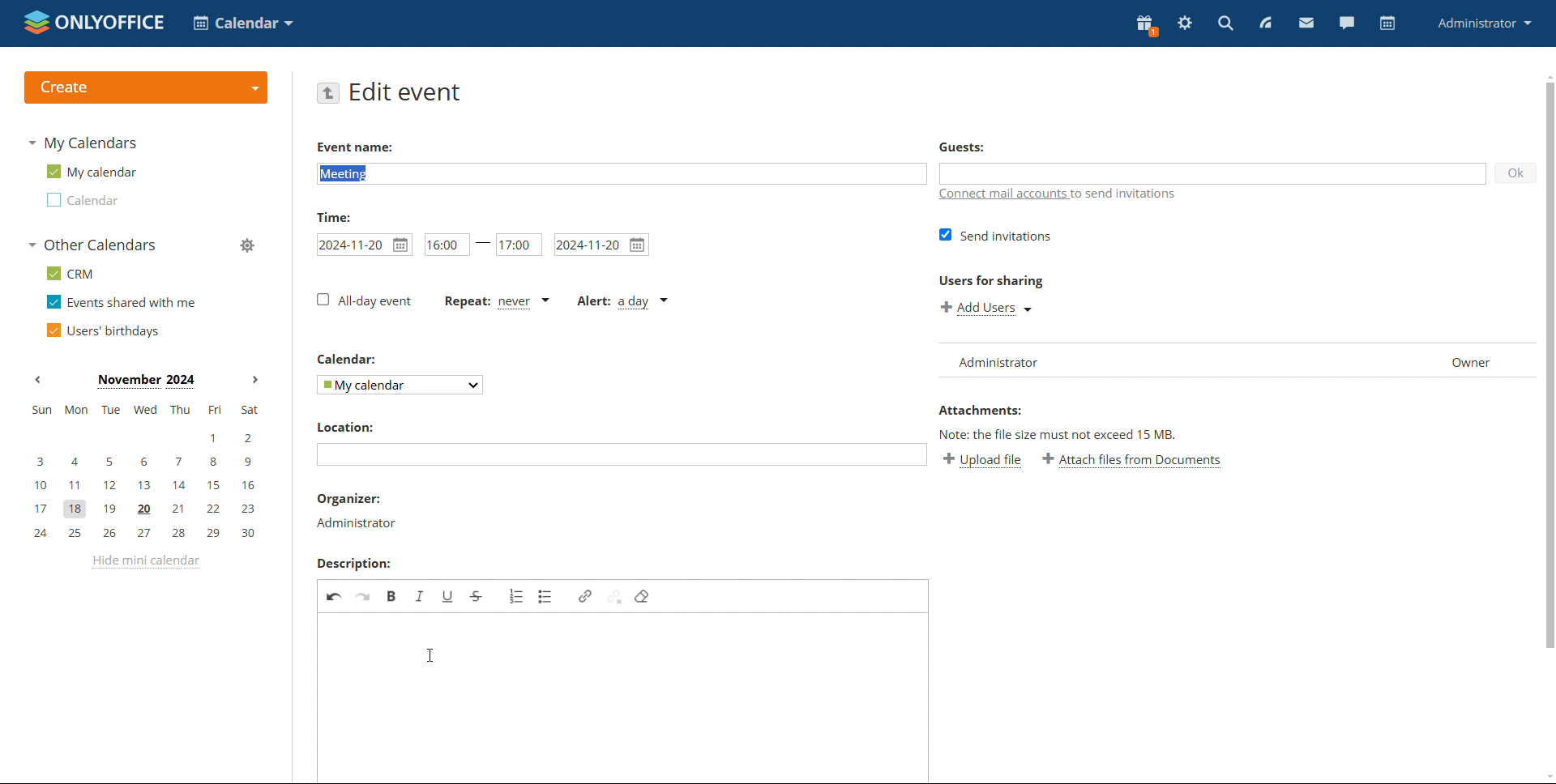 The image size is (1556, 784). I want to click on send invitations, so click(994, 235).